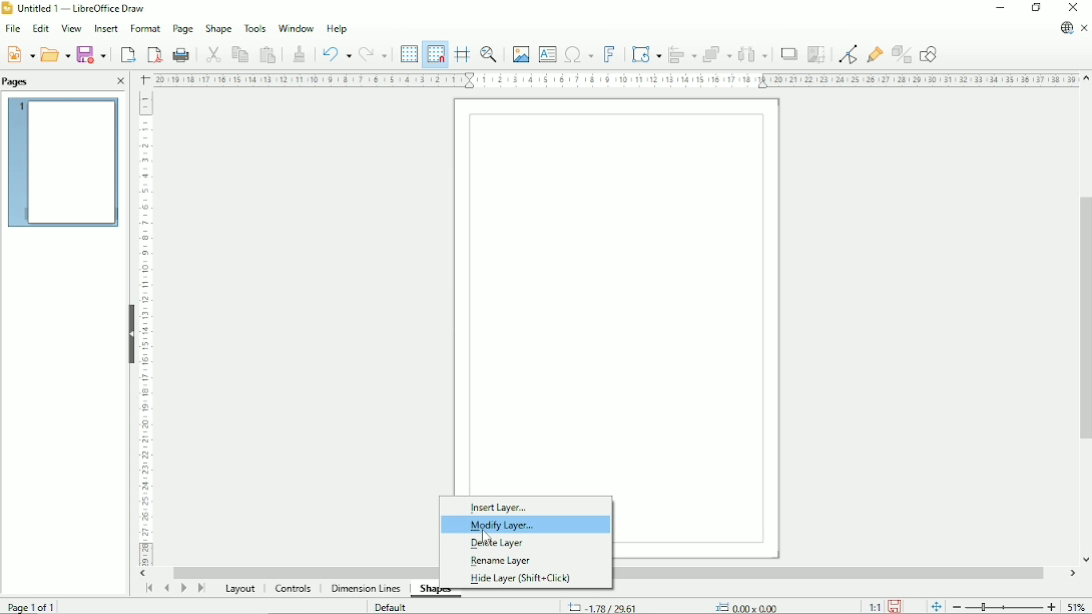 The height and width of the screenshot is (614, 1092). What do you see at coordinates (874, 606) in the screenshot?
I see `Scaling factor` at bounding box center [874, 606].